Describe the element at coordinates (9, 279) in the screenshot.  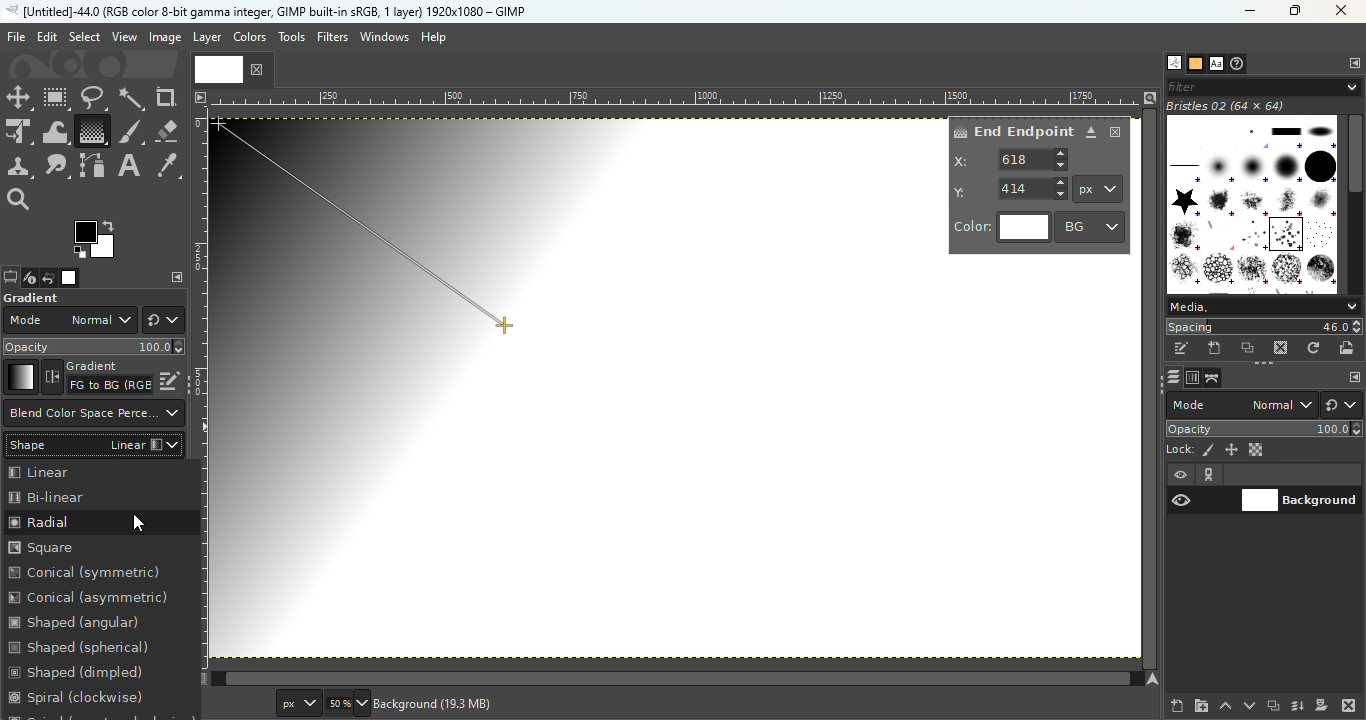
I see `Open the tools option dialog` at that location.